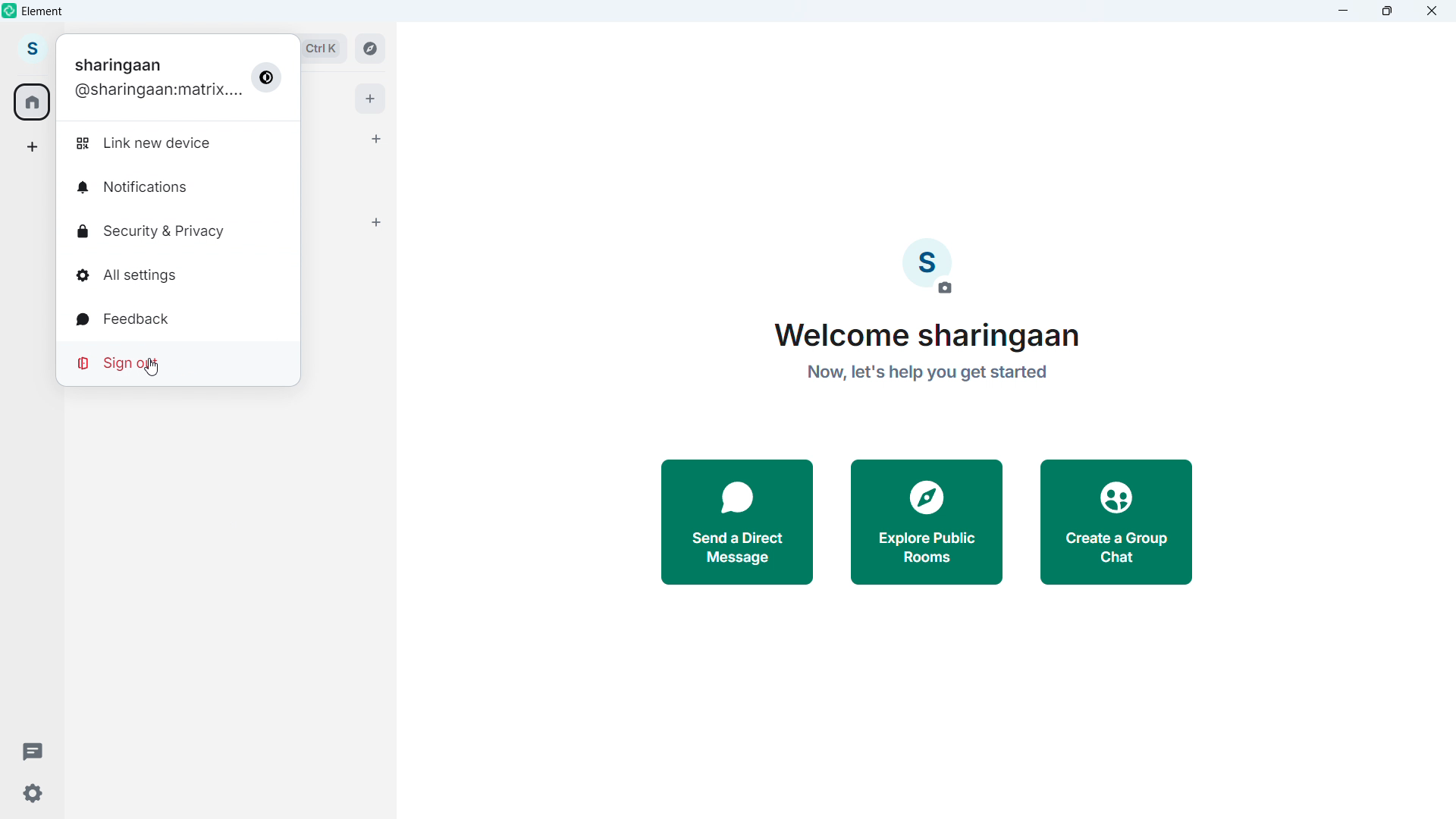  What do you see at coordinates (927, 267) in the screenshot?
I see `Account image` at bounding box center [927, 267].